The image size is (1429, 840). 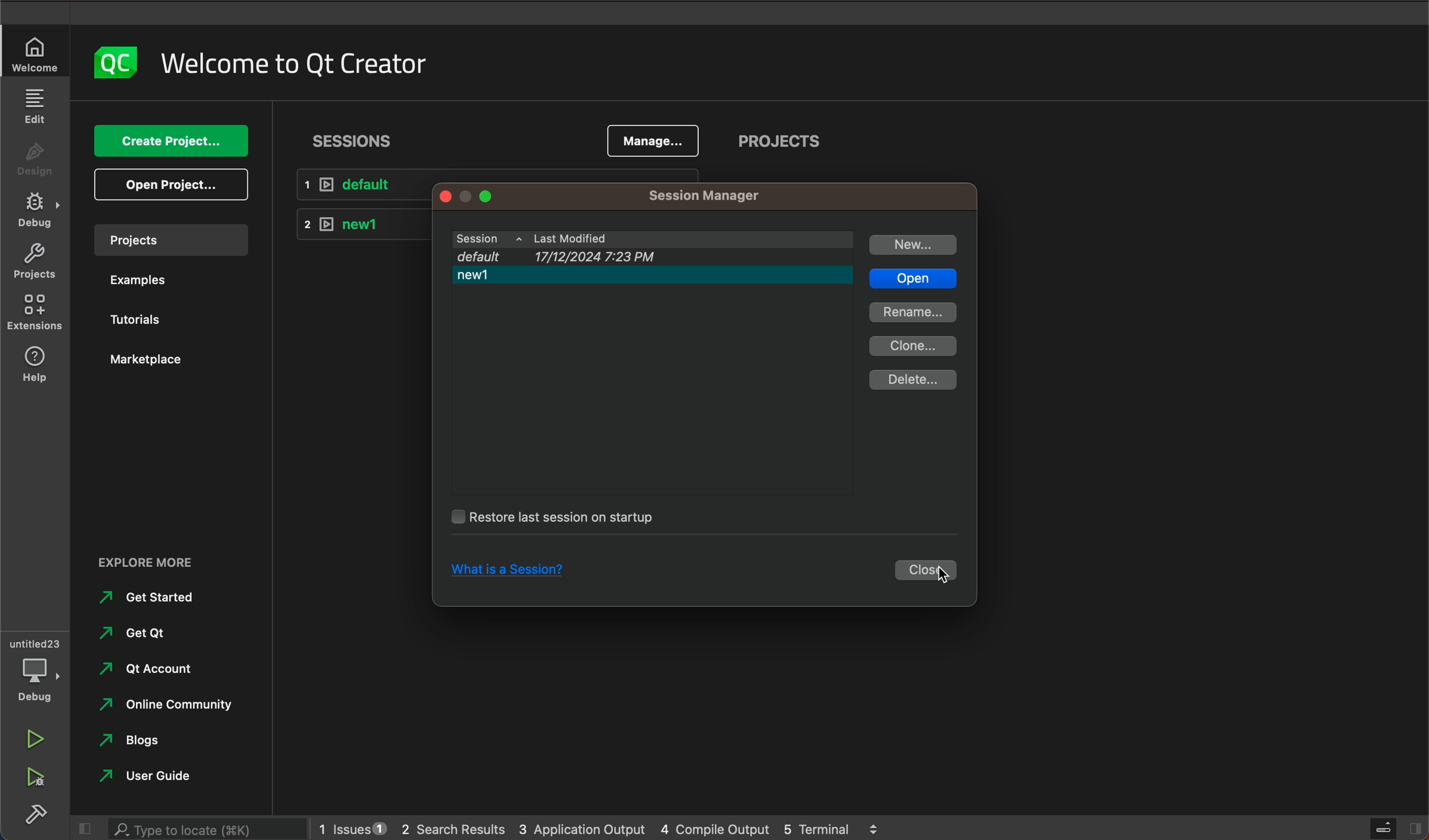 What do you see at coordinates (946, 575) in the screenshot?
I see `cursor` at bounding box center [946, 575].